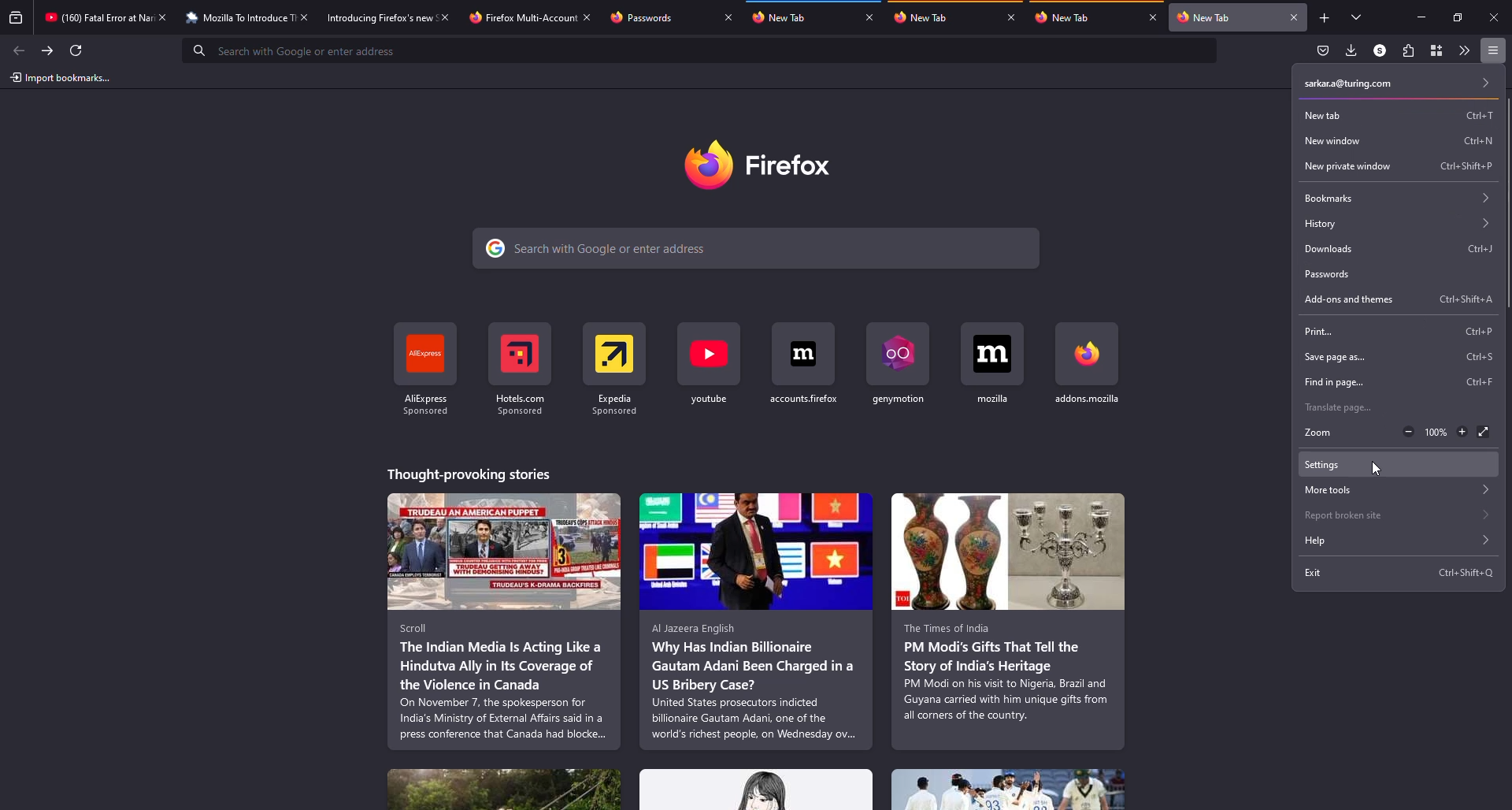 The height and width of the screenshot is (810, 1512). Describe the element at coordinates (1397, 248) in the screenshot. I see `downloads` at that location.